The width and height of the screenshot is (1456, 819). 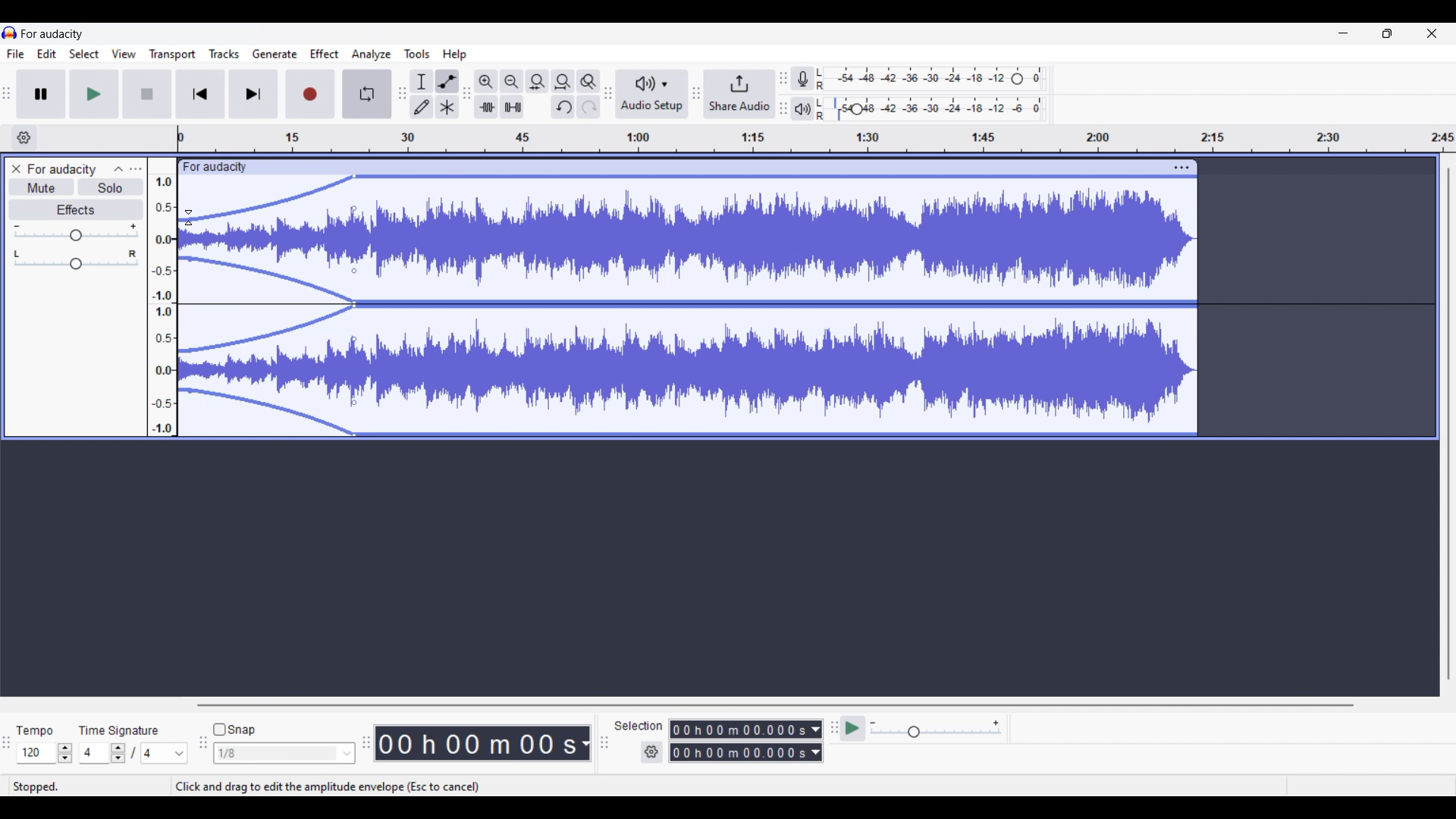 What do you see at coordinates (190, 217) in the screenshot?
I see `cursor` at bounding box center [190, 217].